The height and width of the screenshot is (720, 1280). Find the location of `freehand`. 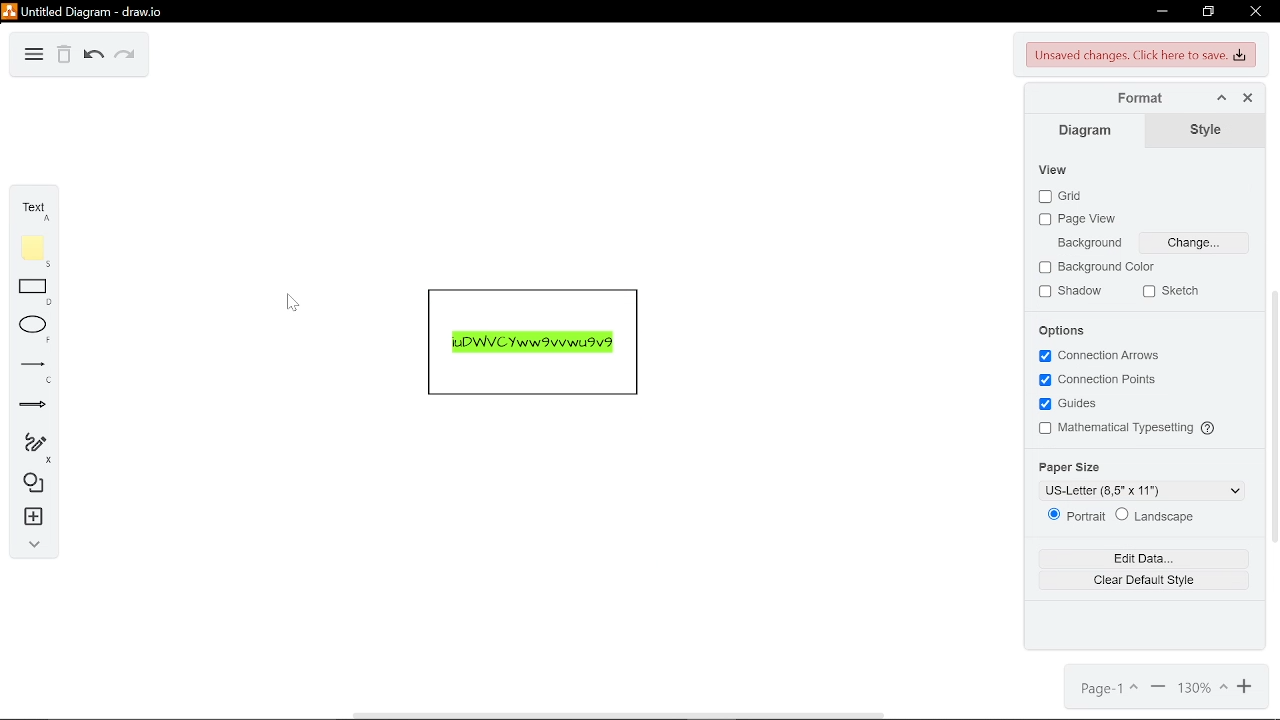

freehand is located at coordinates (31, 446).